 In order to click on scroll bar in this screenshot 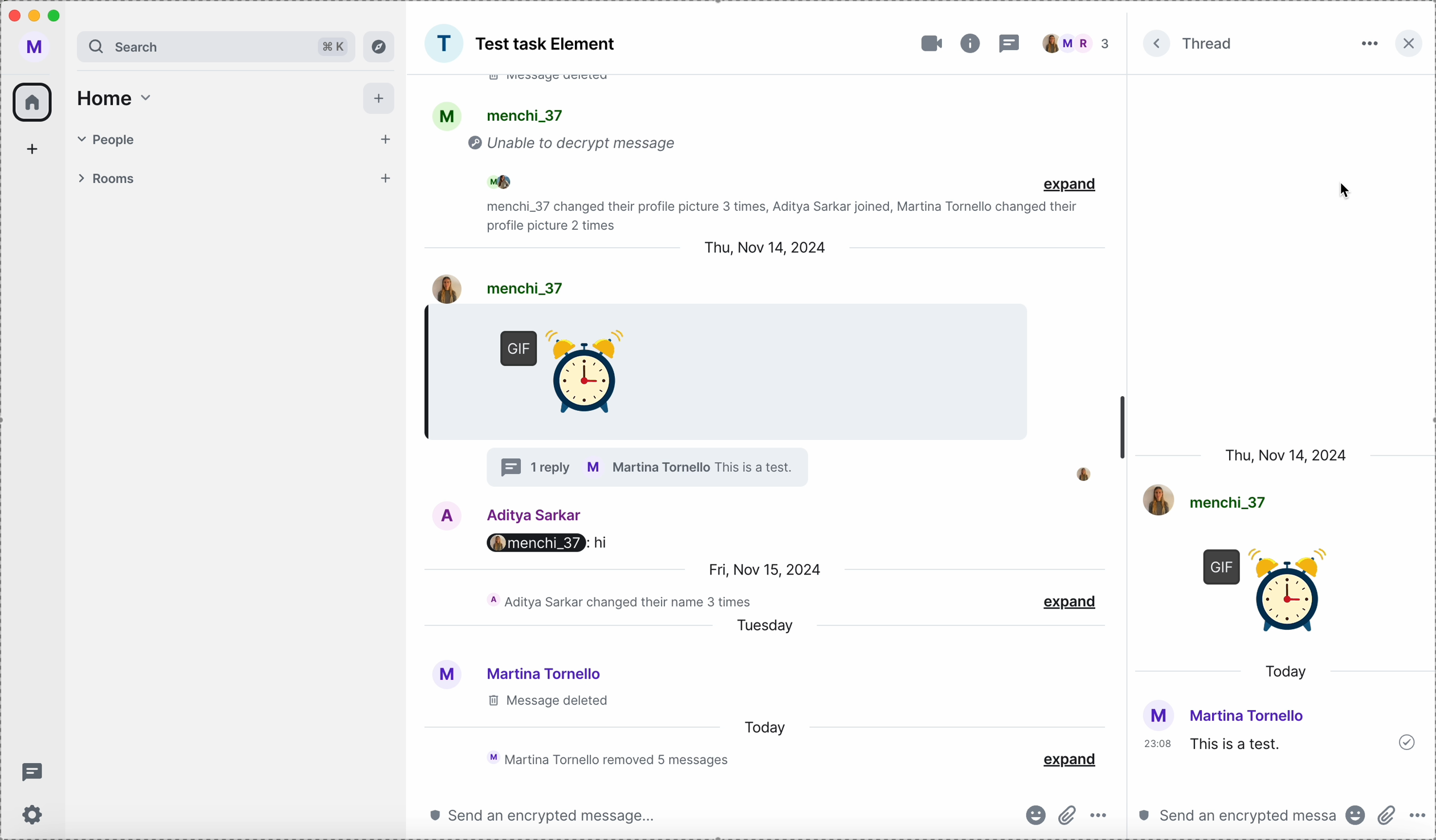, I will do `click(1123, 431)`.